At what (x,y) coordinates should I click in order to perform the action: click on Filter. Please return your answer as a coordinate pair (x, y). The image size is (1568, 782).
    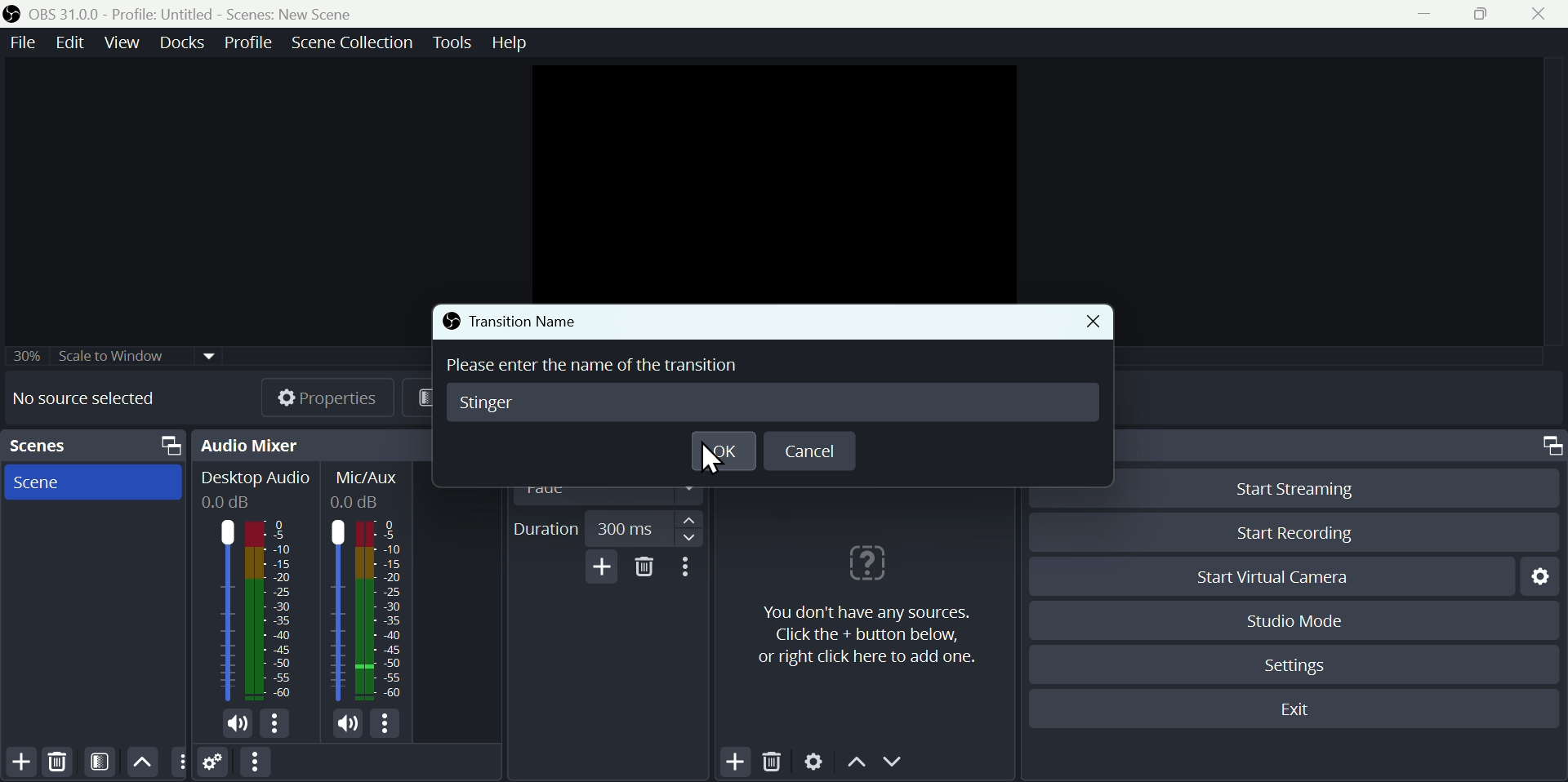
    Looking at the image, I should click on (103, 762).